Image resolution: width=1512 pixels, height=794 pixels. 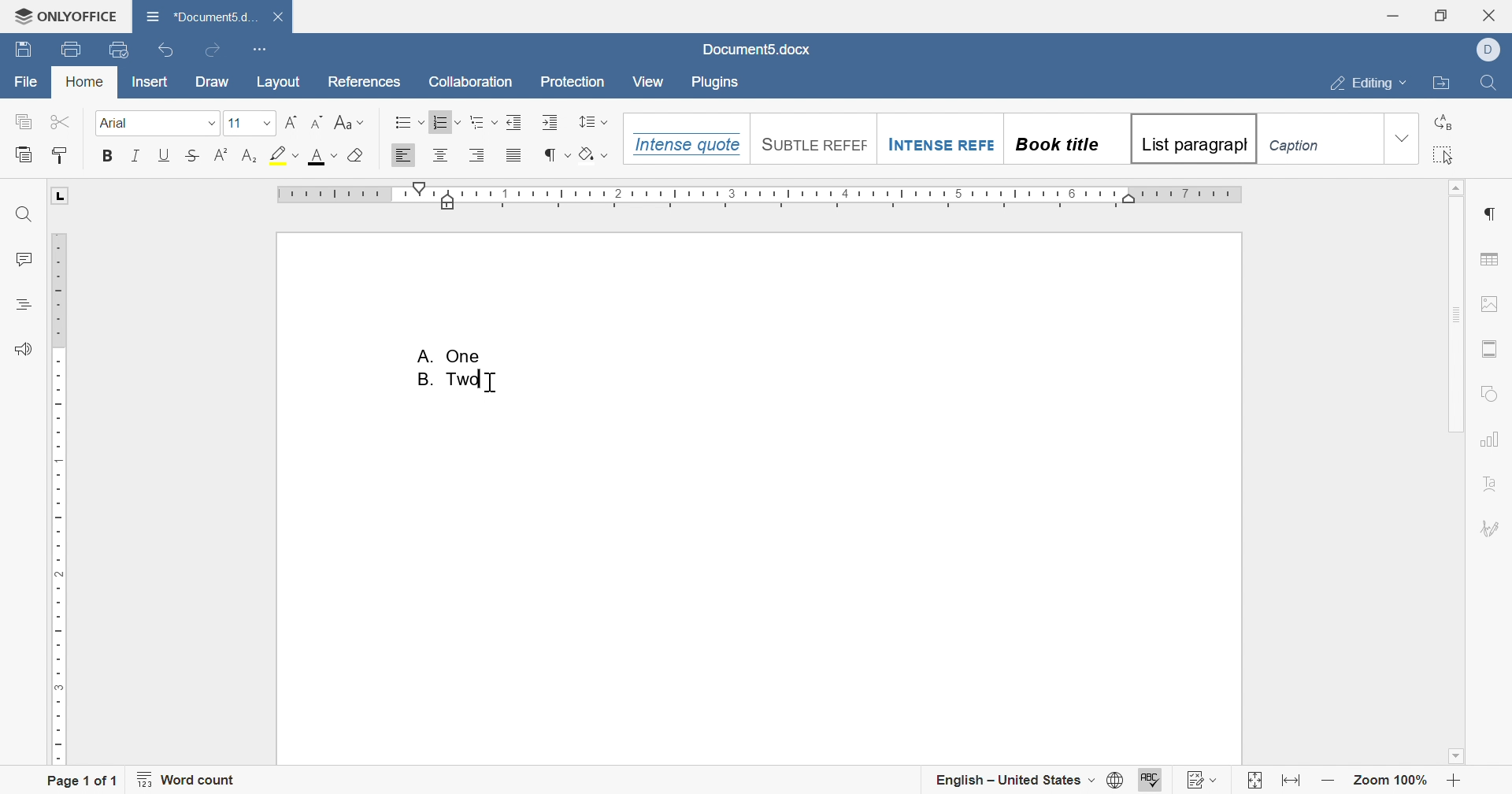 I want to click on feedback & support, so click(x=26, y=349).